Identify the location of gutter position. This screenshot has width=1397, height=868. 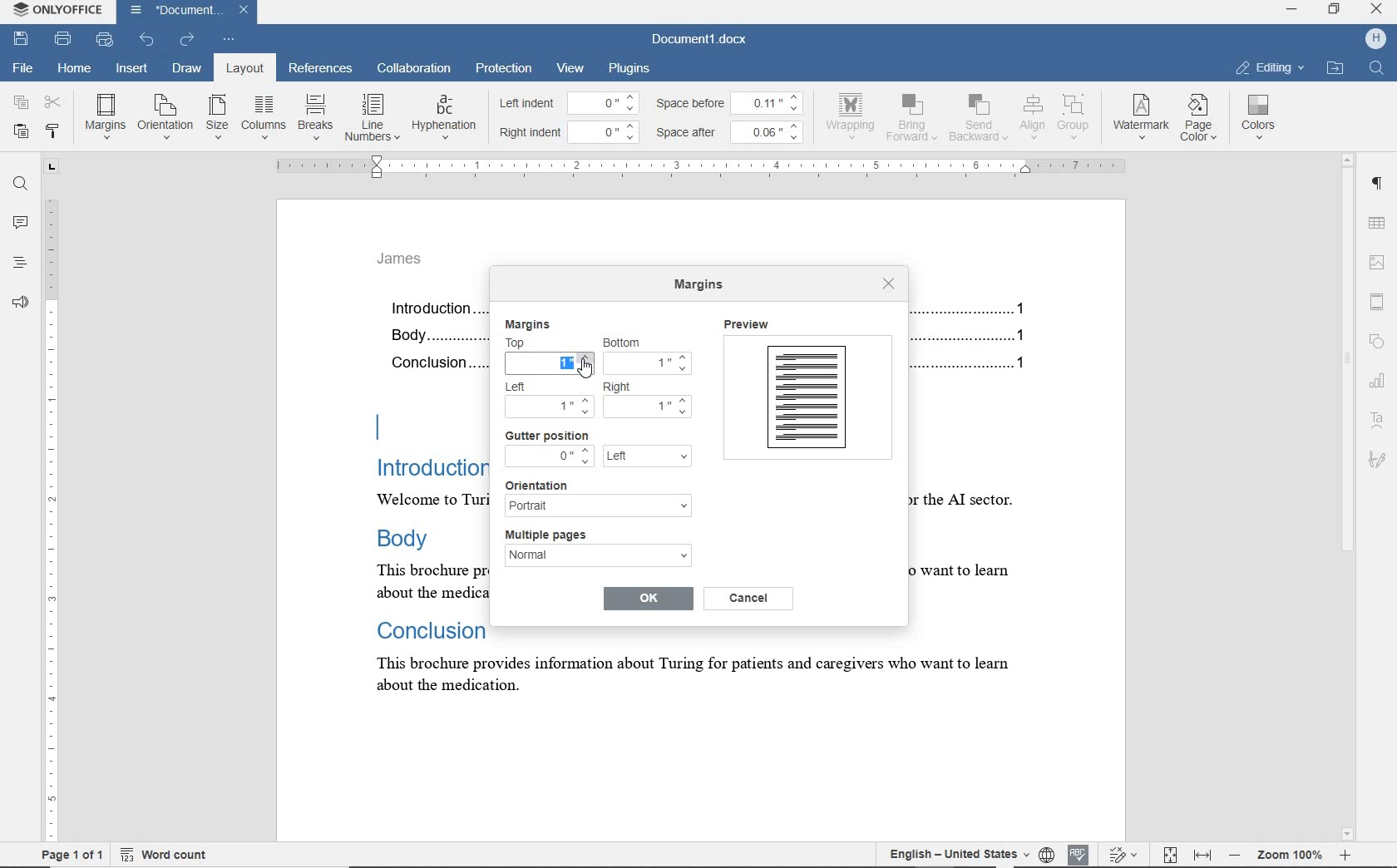
(547, 436).